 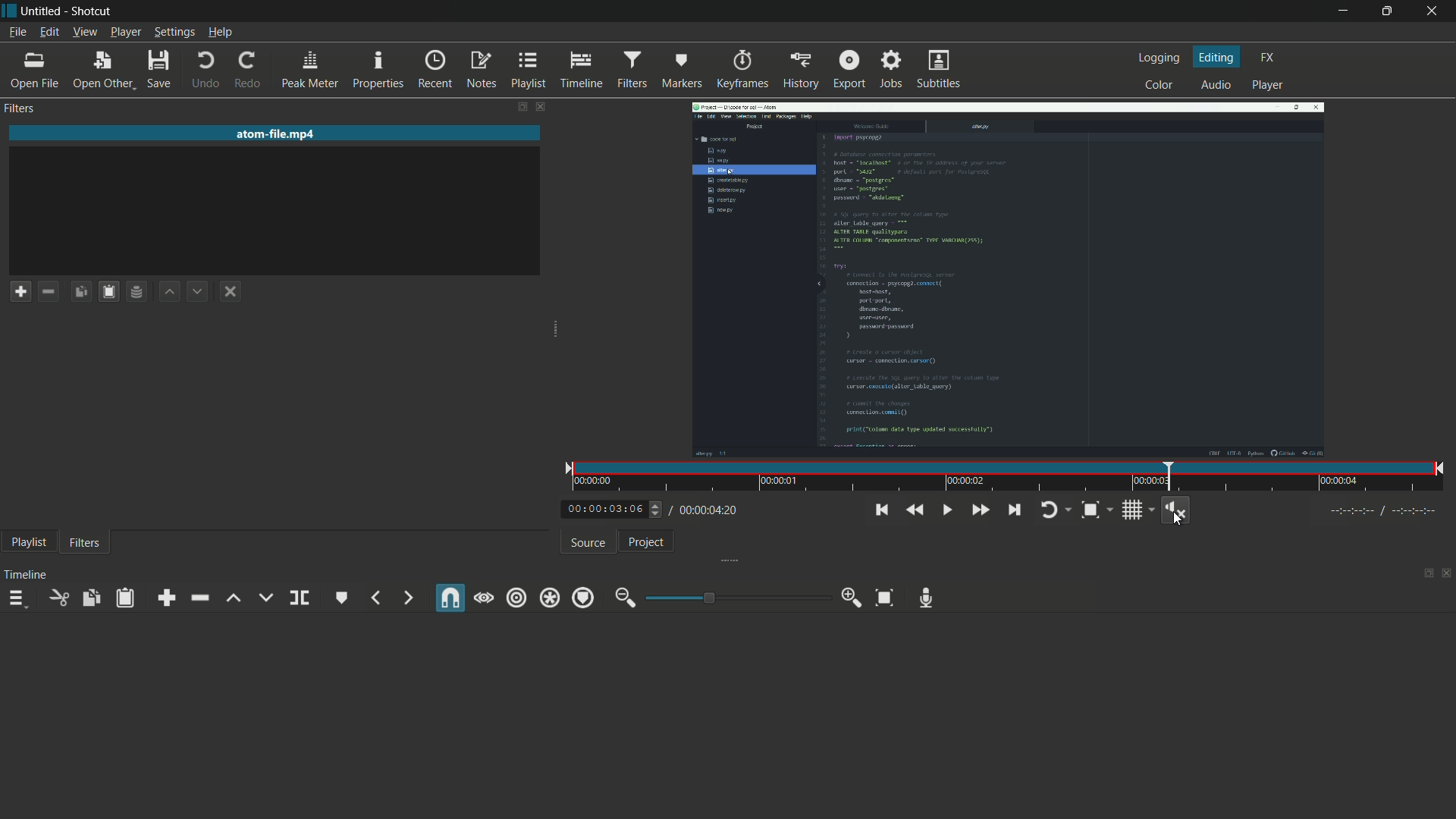 What do you see at coordinates (581, 71) in the screenshot?
I see `timeline` at bounding box center [581, 71].